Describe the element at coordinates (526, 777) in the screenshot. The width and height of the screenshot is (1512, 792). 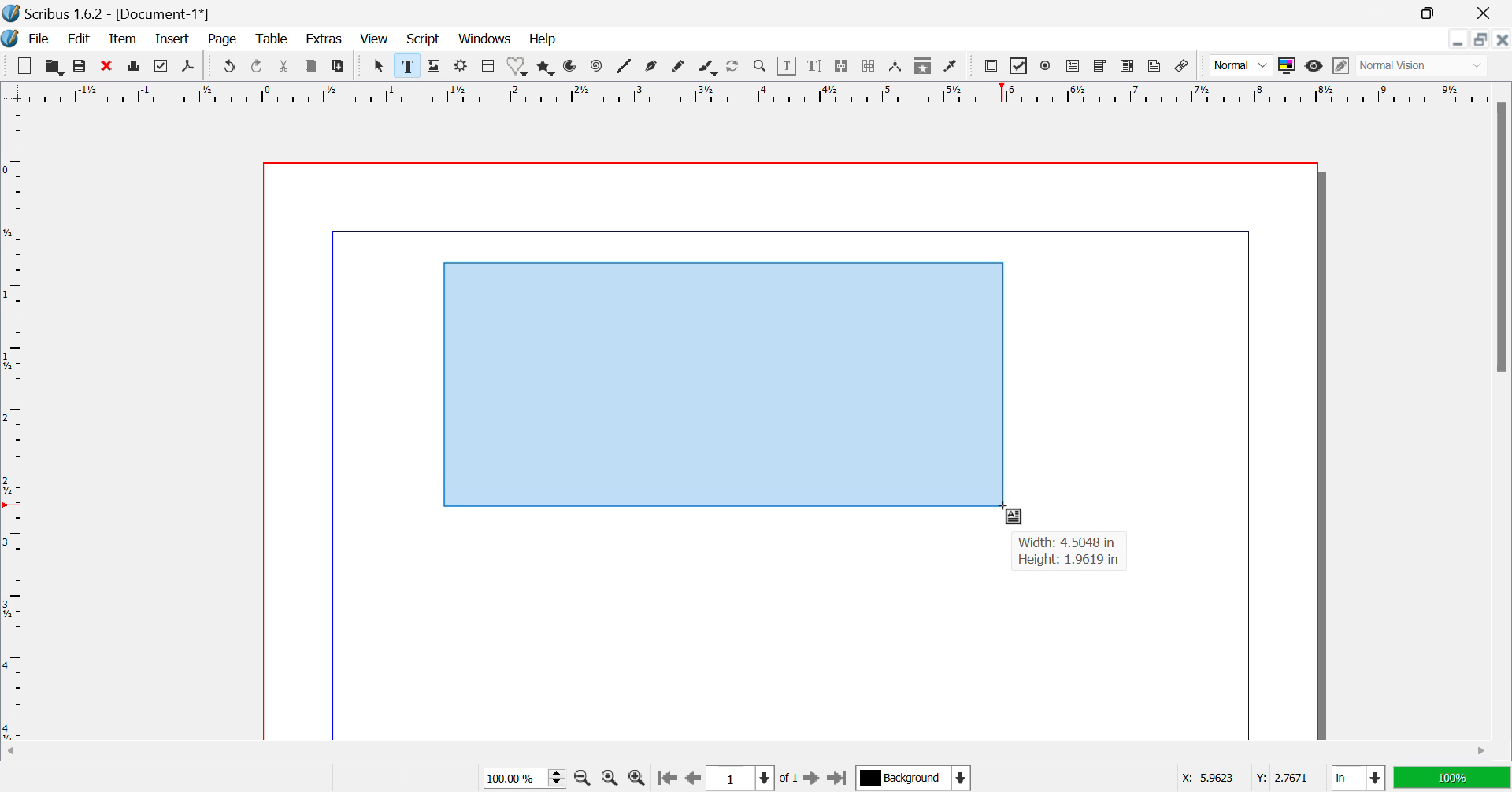
I see `Zoom 100%` at that location.